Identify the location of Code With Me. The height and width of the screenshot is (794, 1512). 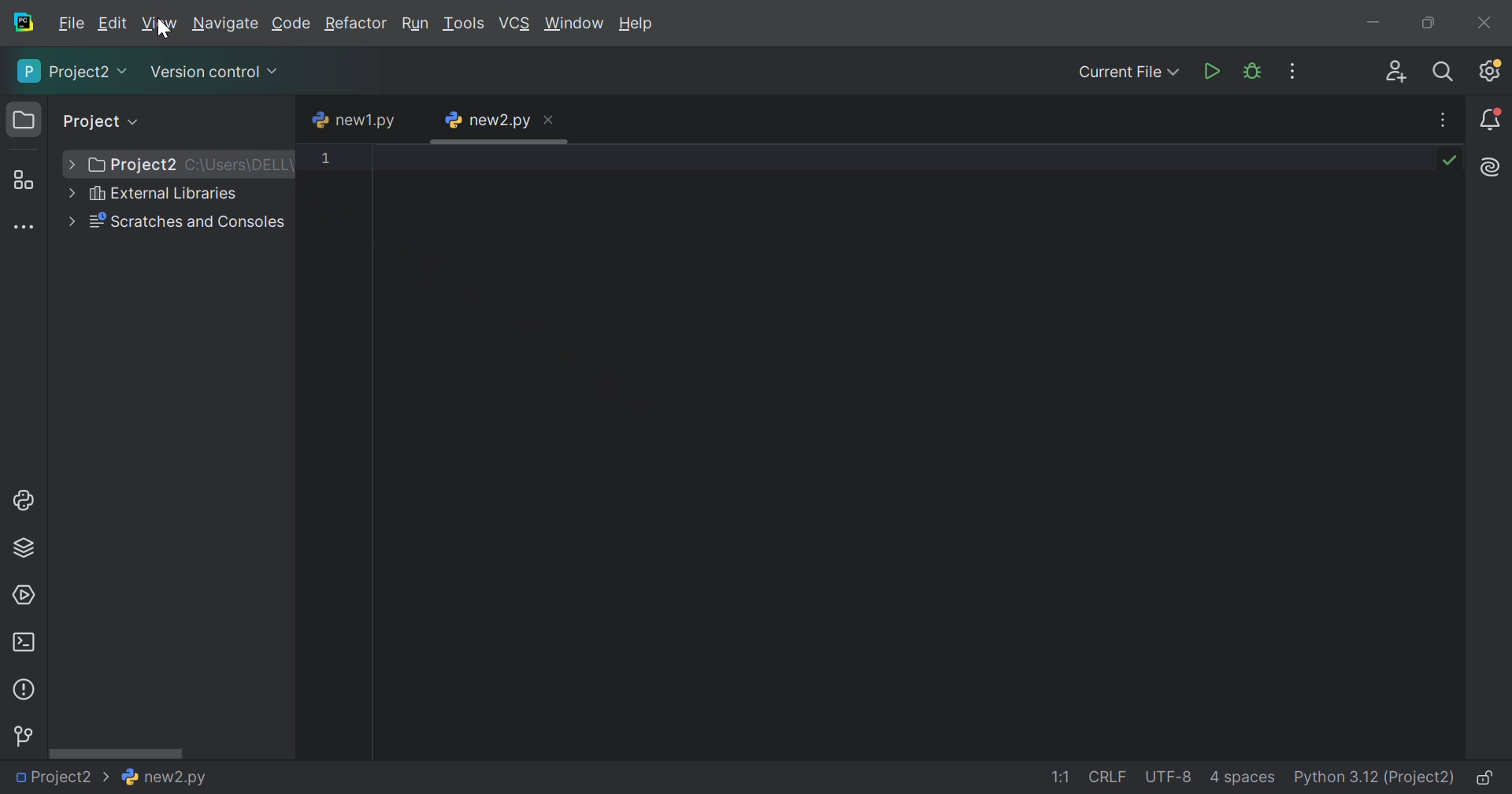
(1396, 71).